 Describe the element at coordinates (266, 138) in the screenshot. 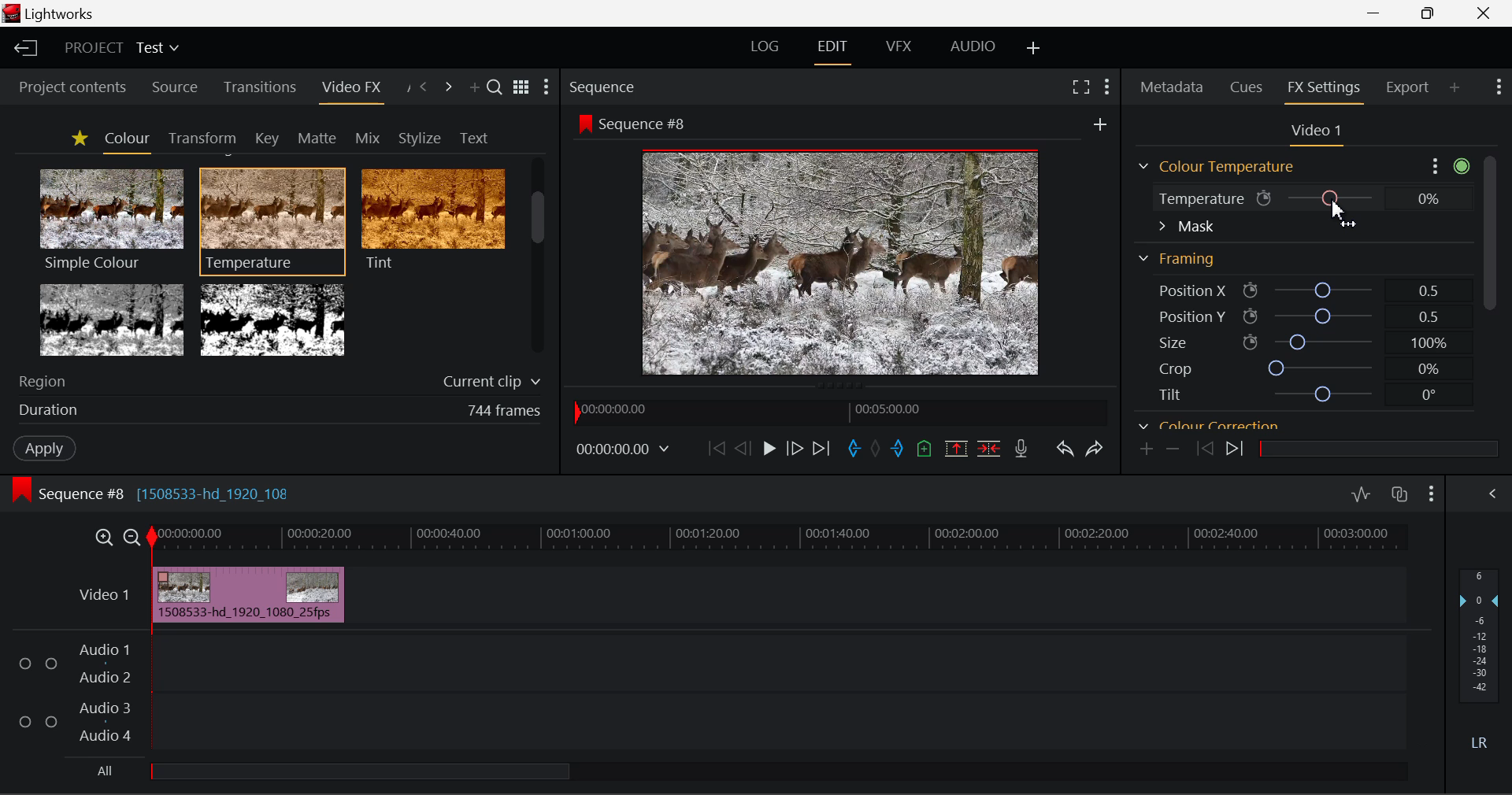

I see `Key` at that location.